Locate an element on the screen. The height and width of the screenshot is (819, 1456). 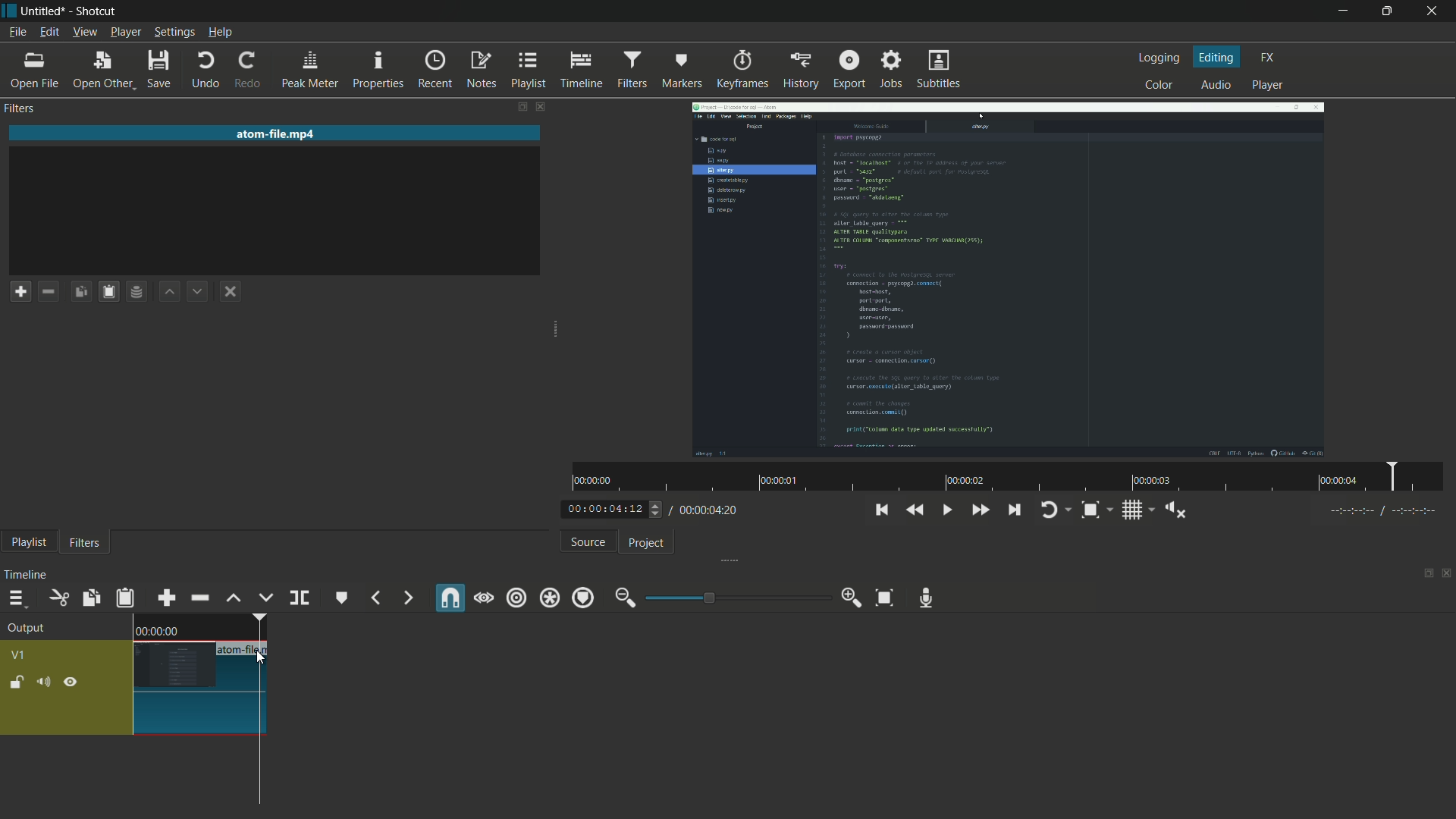
filter is located at coordinates (634, 70).